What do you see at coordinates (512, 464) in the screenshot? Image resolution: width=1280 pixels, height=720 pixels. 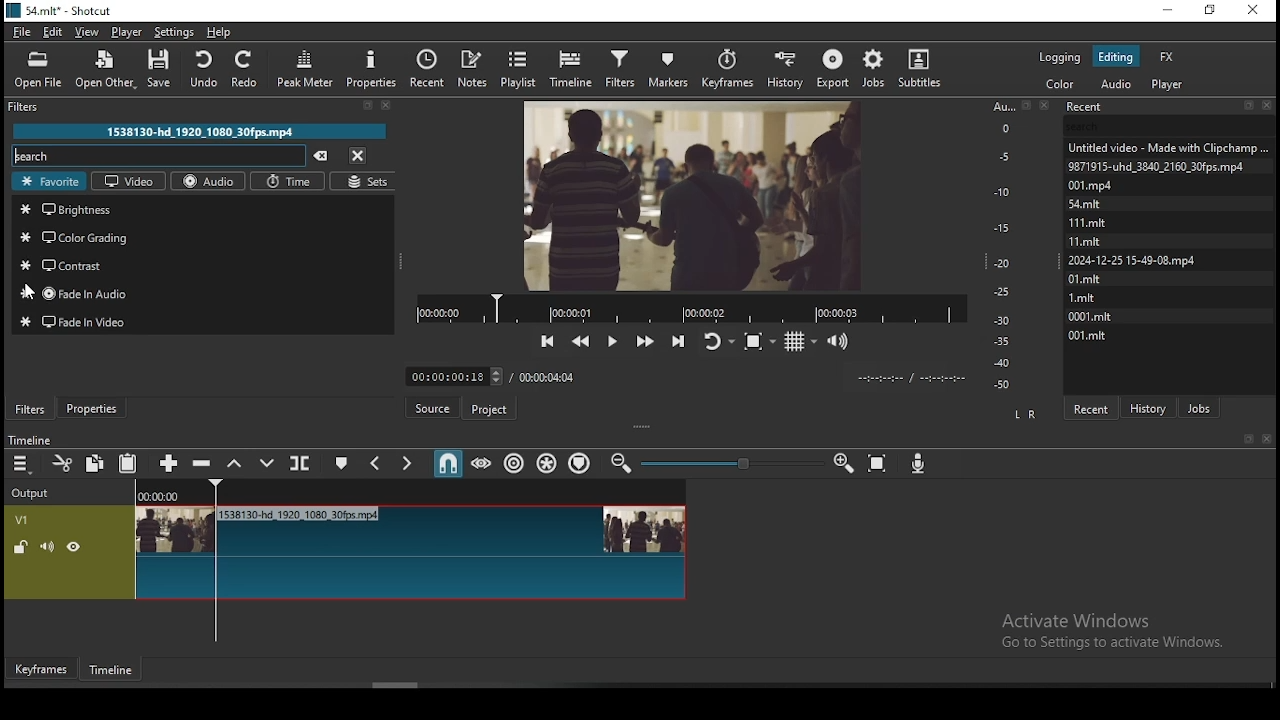 I see `ripple` at bounding box center [512, 464].